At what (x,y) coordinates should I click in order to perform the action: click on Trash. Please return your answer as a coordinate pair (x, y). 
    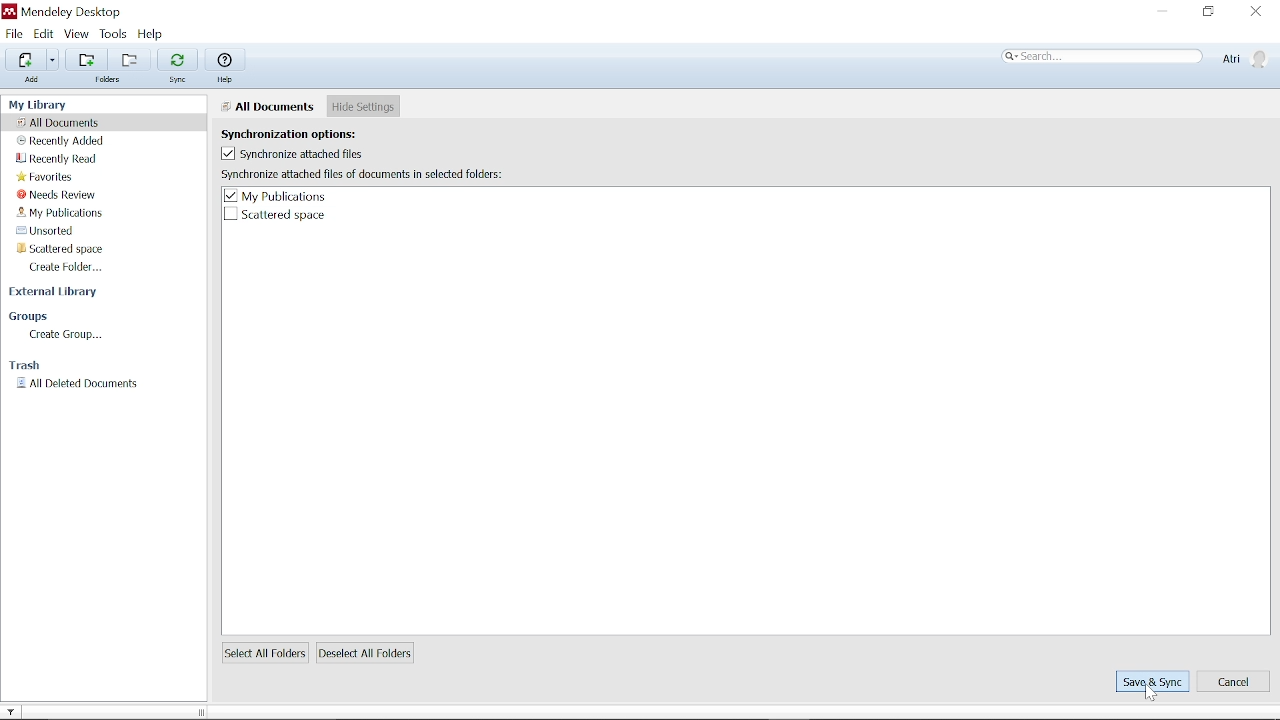
    Looking at the image, I should click on (30, 365).